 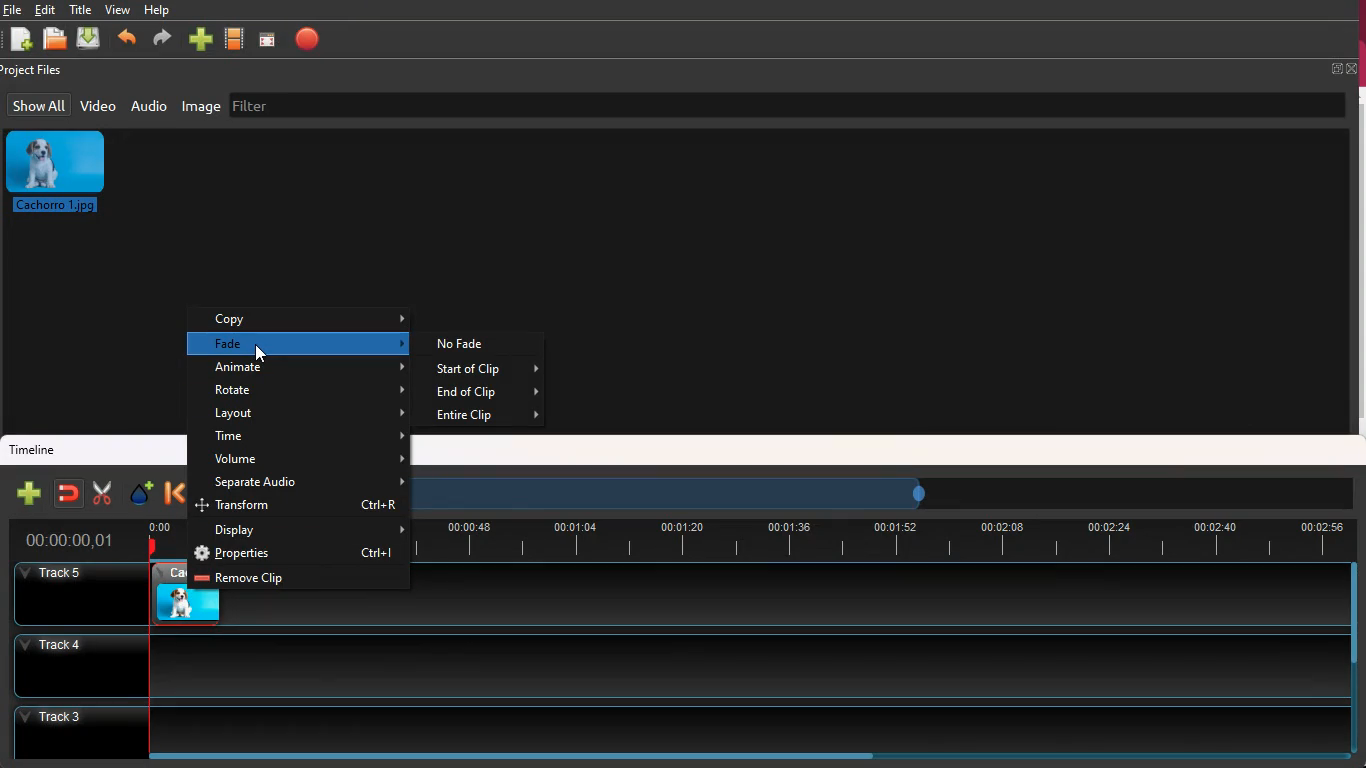 What do you see at coordinates (70, 538) in the screenshot?
I see `time` at bounding box center [70, 538].